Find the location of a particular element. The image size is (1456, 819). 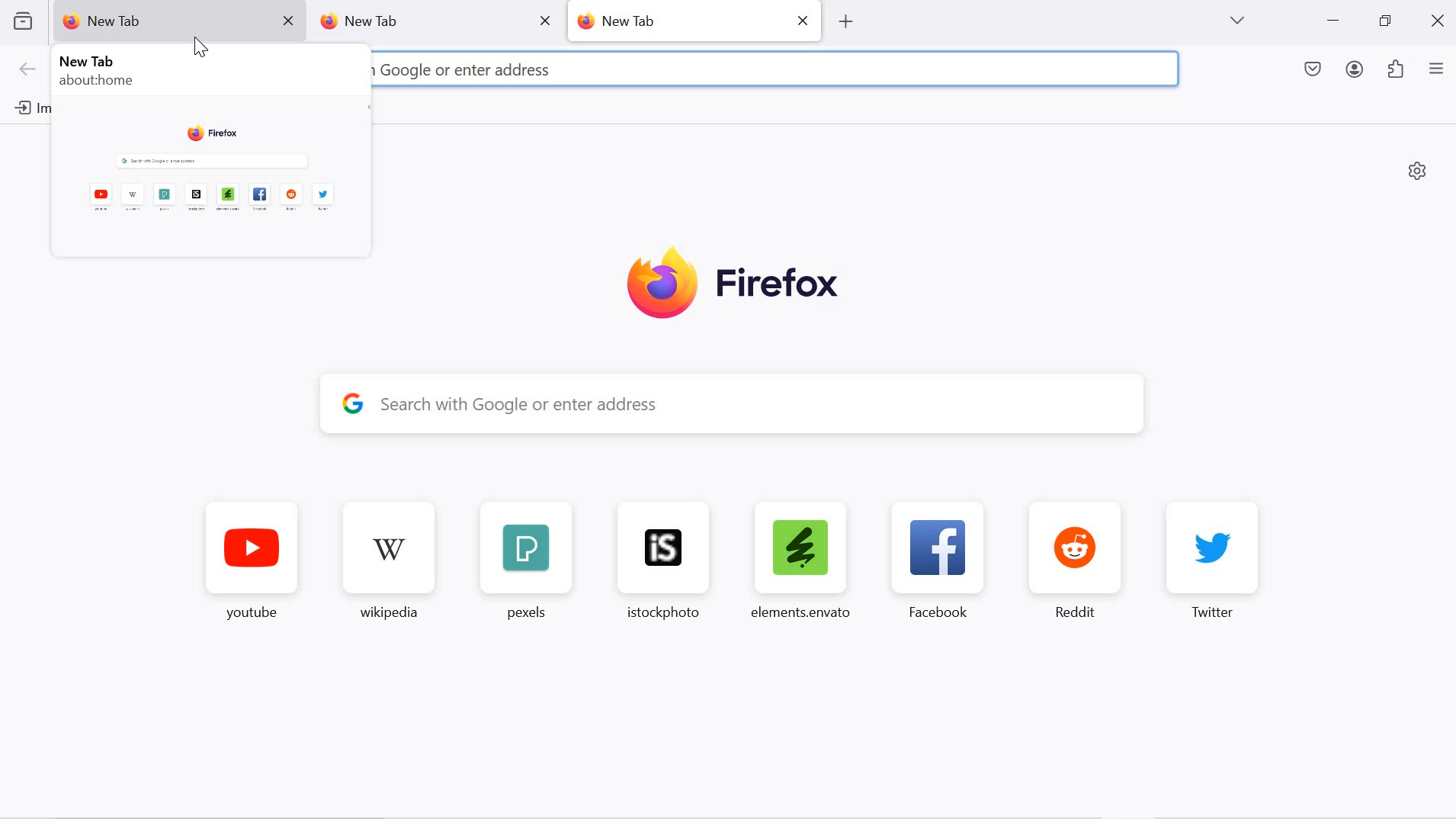

import bookmarks is located at coordinates (27, 108).